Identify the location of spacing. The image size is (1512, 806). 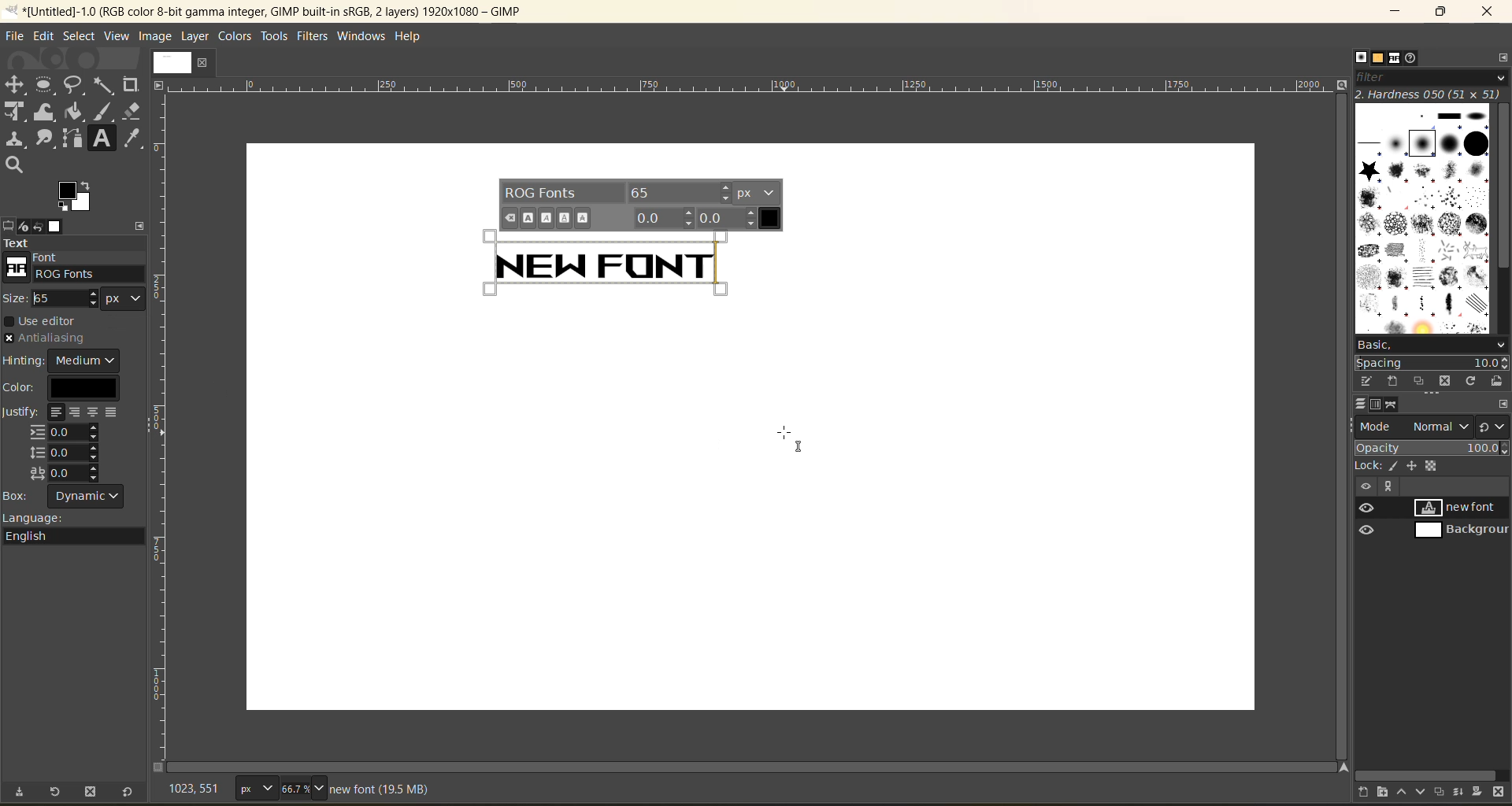
(1430, 363).